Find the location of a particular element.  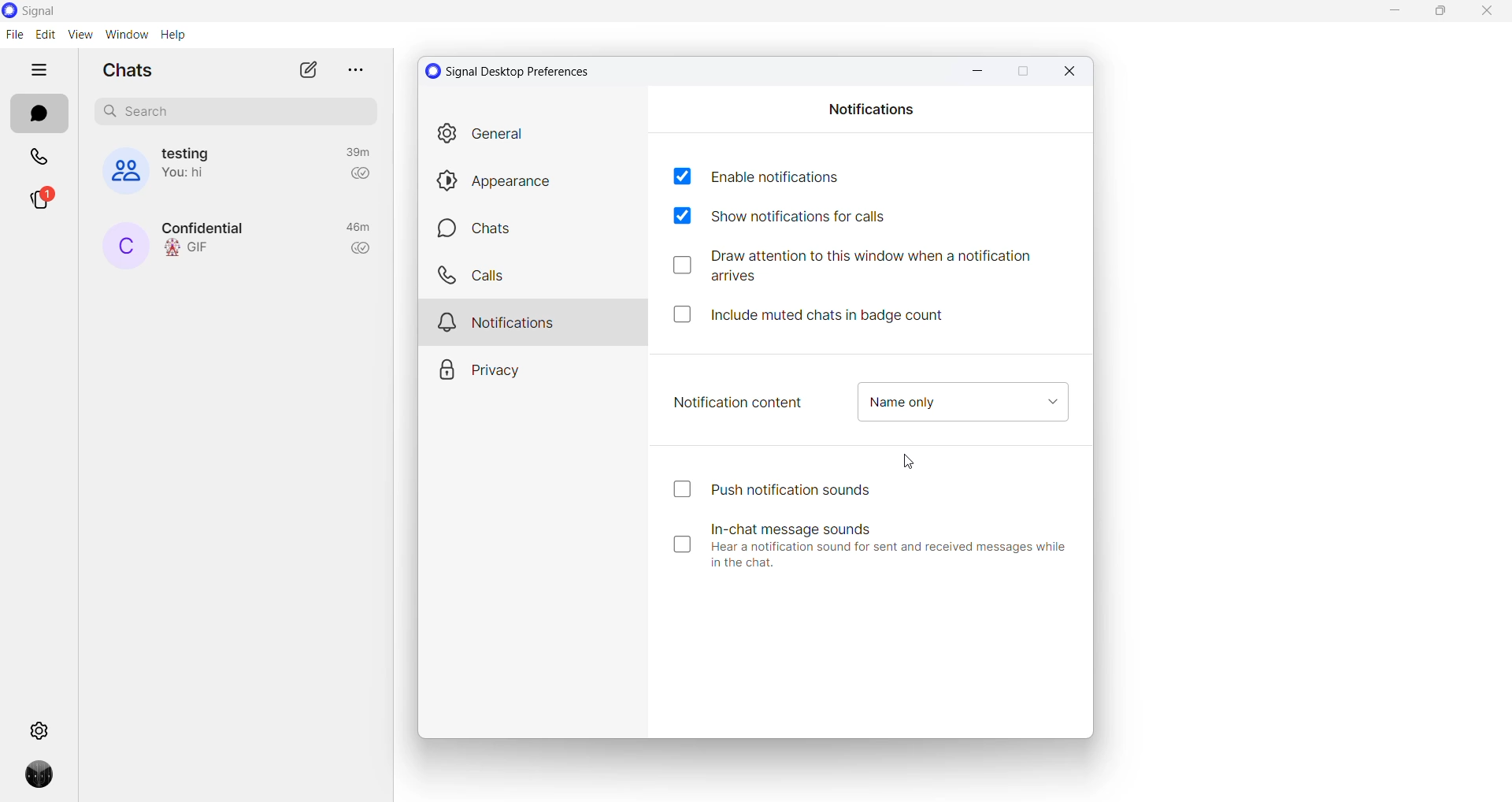

close is located at coordinates (1486, 16).